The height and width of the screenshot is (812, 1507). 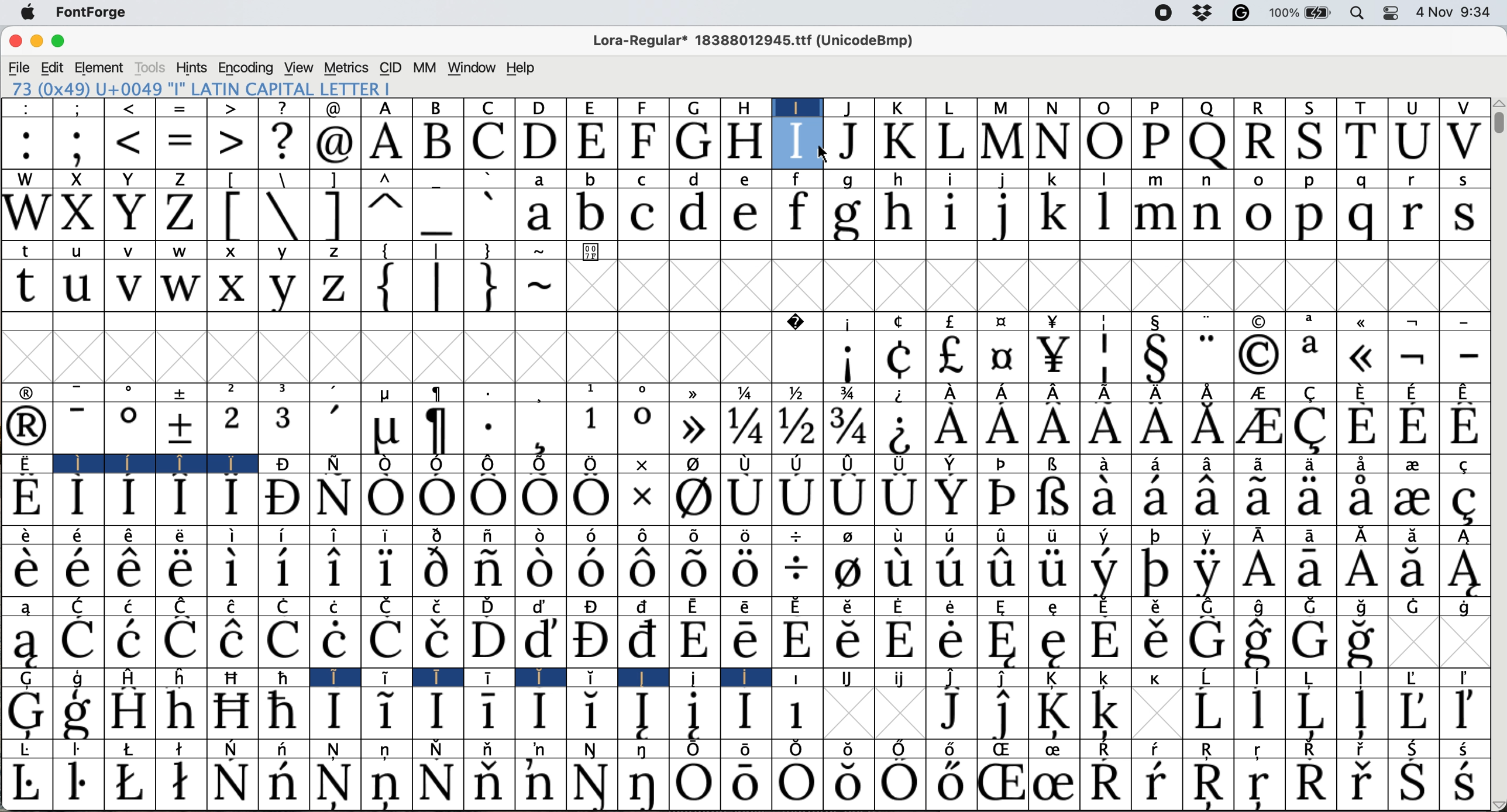 I want to click on Symbol, so click(x=1465, y=784).